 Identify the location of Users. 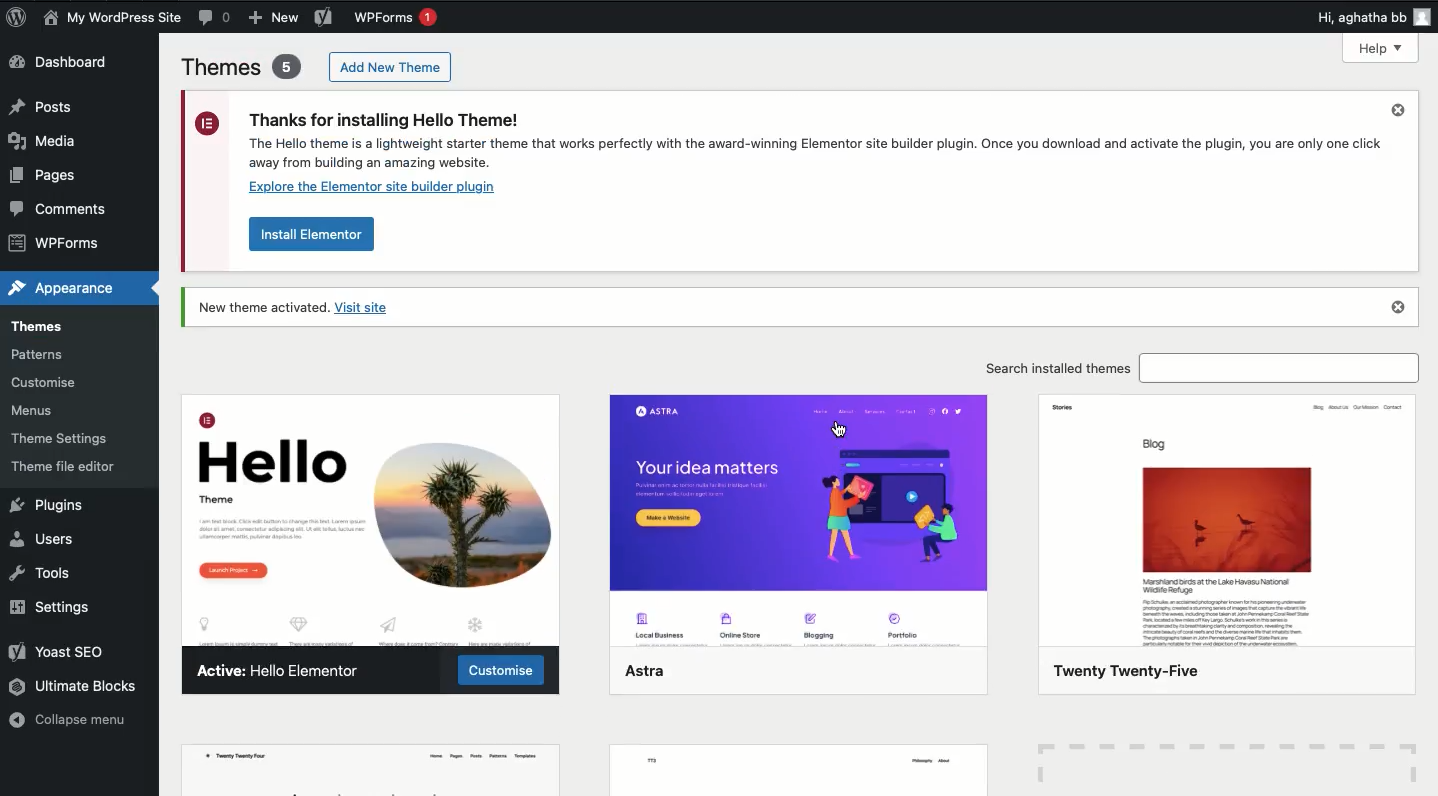
(46, 543).